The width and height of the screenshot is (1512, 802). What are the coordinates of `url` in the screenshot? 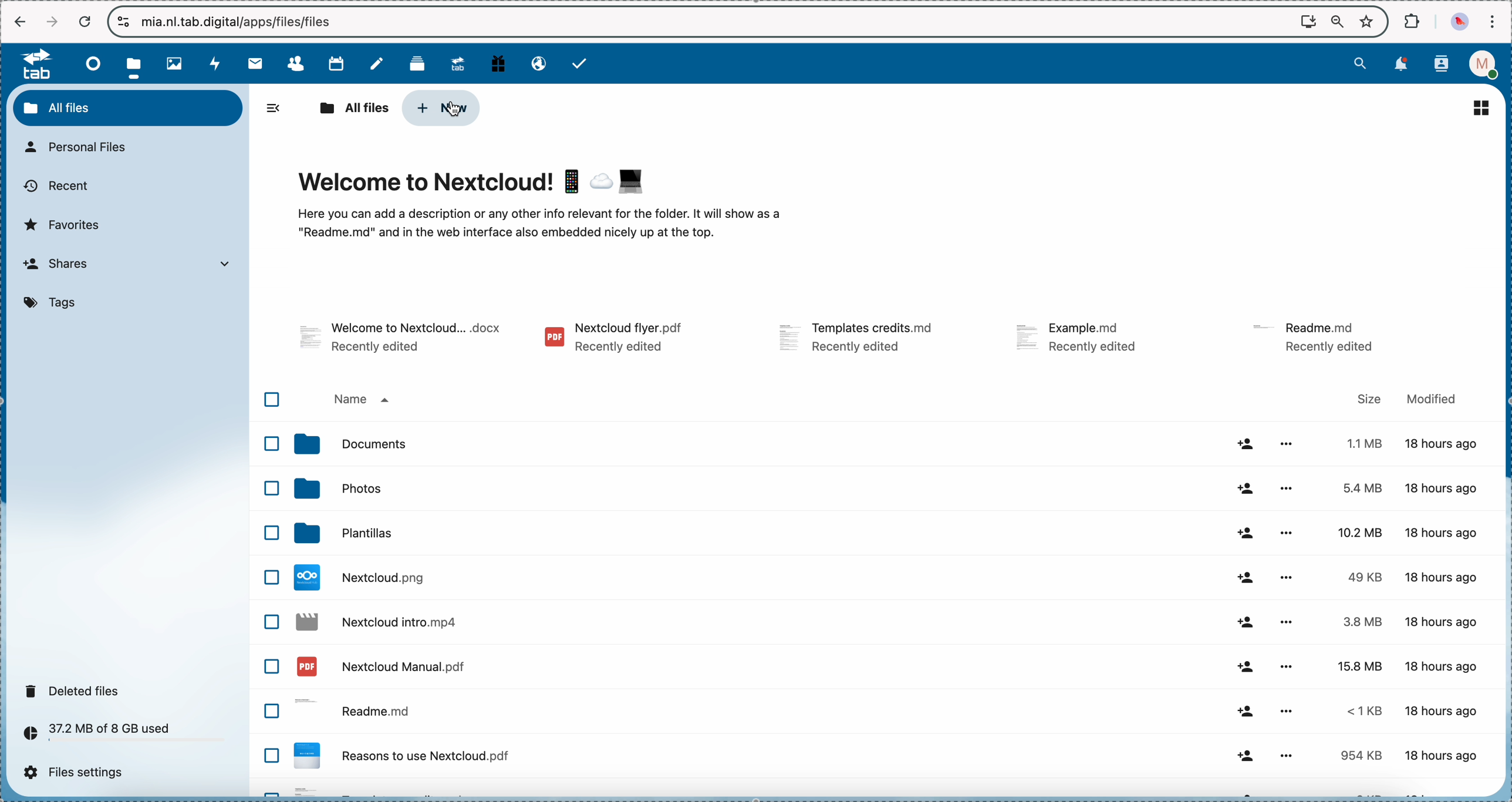 It's located at (246, 21).